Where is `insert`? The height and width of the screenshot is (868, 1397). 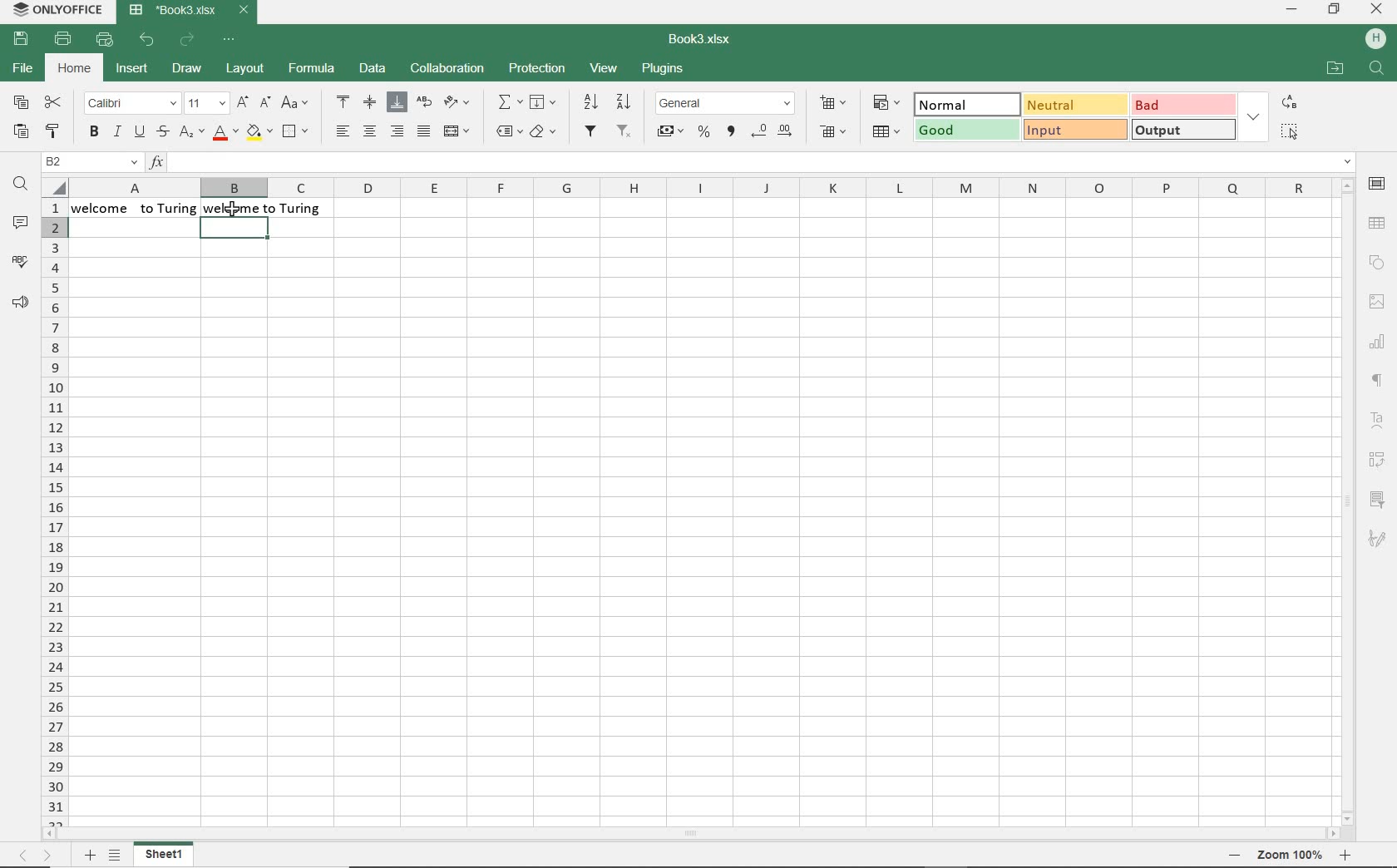 insert is located at coordinates (133, 70).